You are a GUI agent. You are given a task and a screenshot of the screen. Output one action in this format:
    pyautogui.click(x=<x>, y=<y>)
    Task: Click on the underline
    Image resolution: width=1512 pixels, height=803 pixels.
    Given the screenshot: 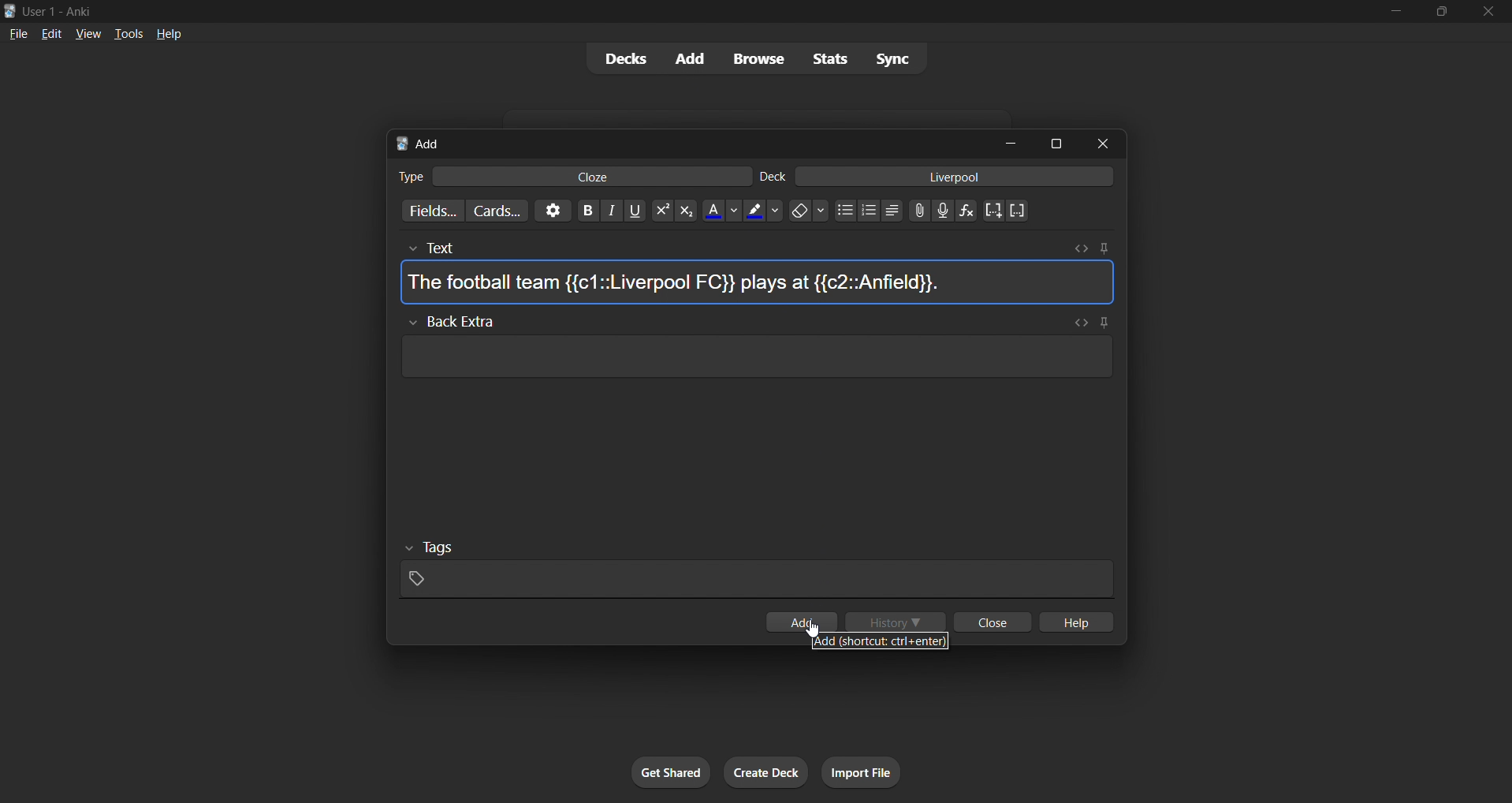 What is the action you would take?
    pyautogui.click(x=635, y=215)
    